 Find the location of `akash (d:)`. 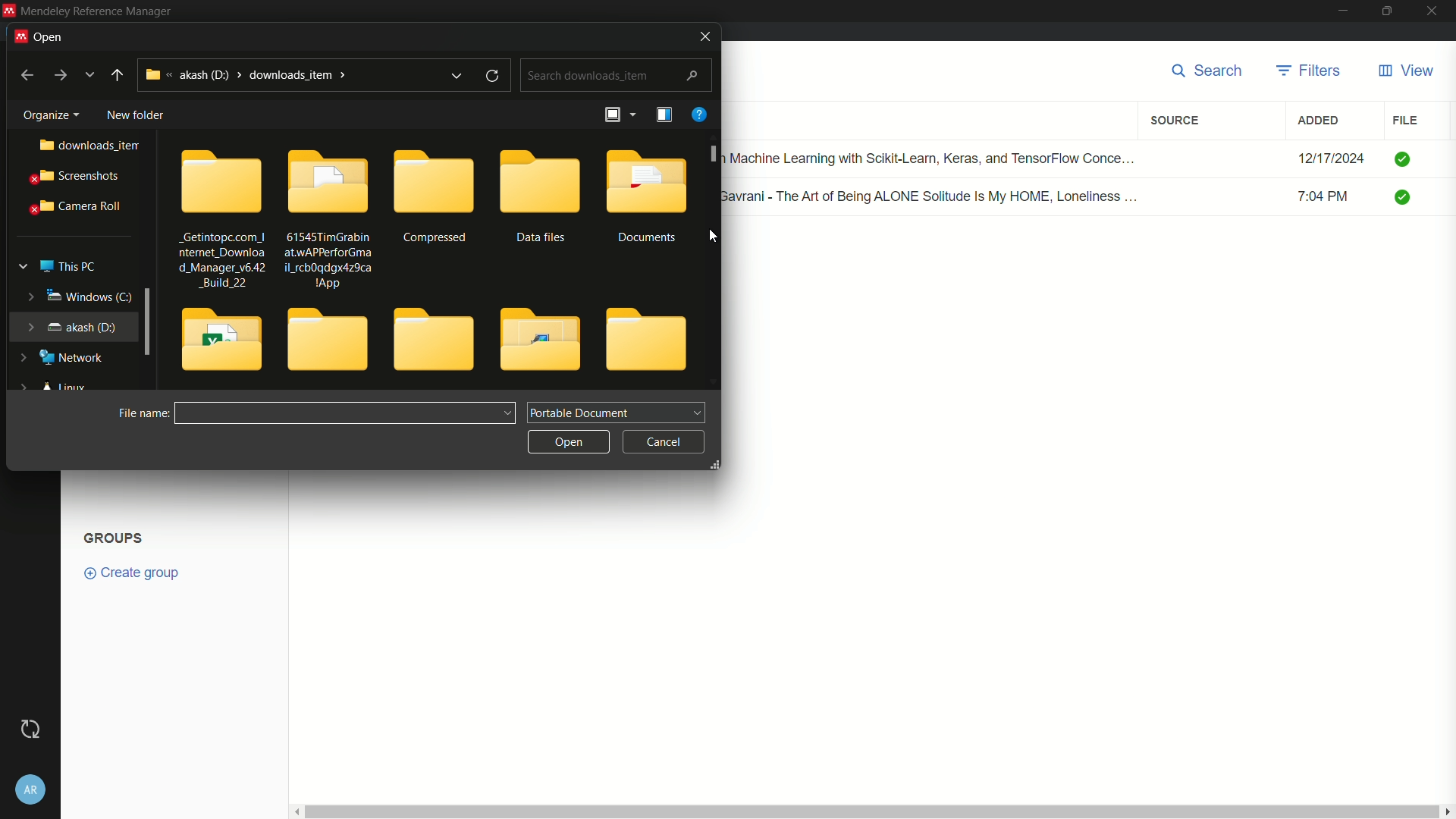

akash (d:) is located at coordinates (71, 325).